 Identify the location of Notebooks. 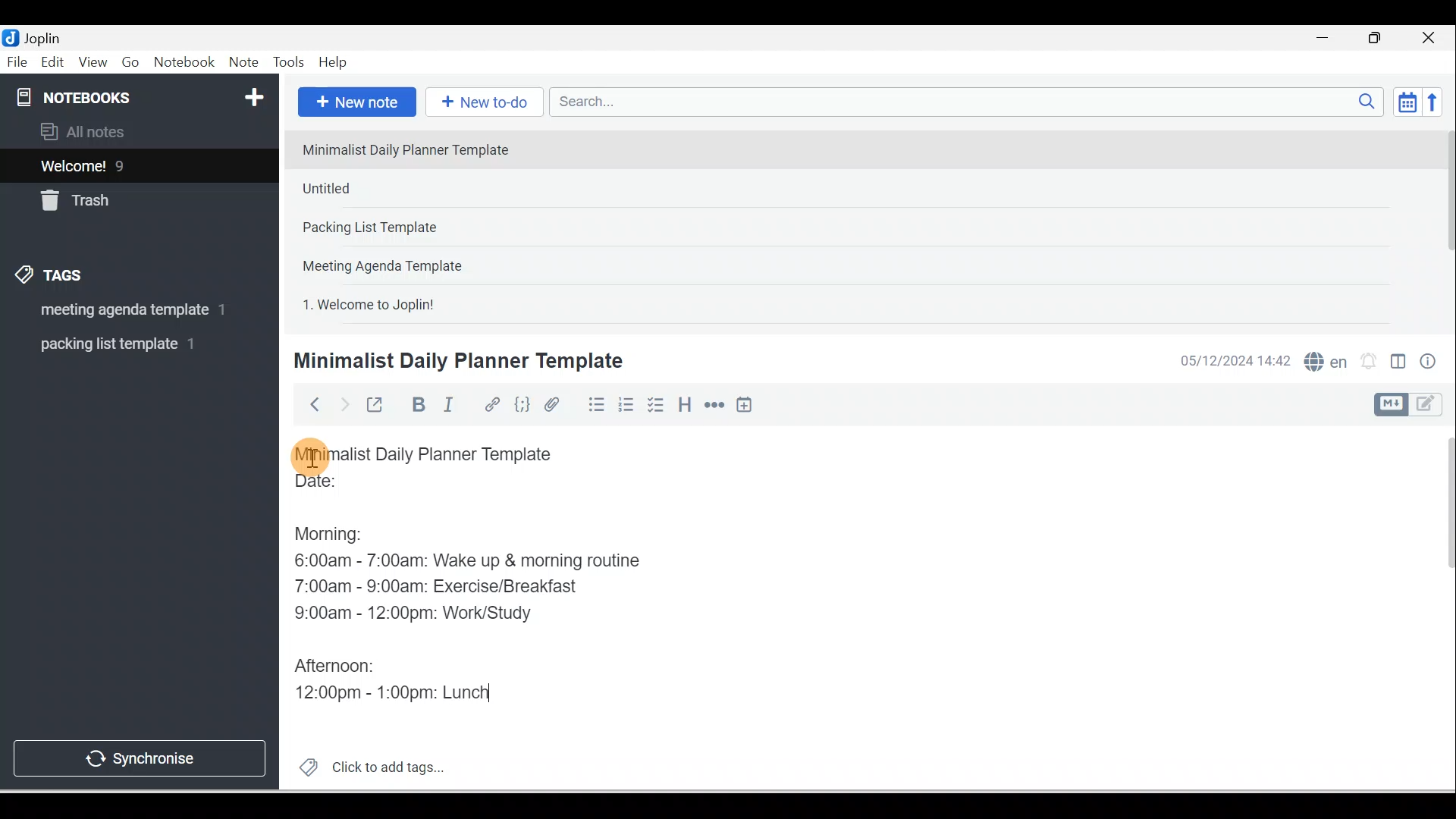
(143, 94).